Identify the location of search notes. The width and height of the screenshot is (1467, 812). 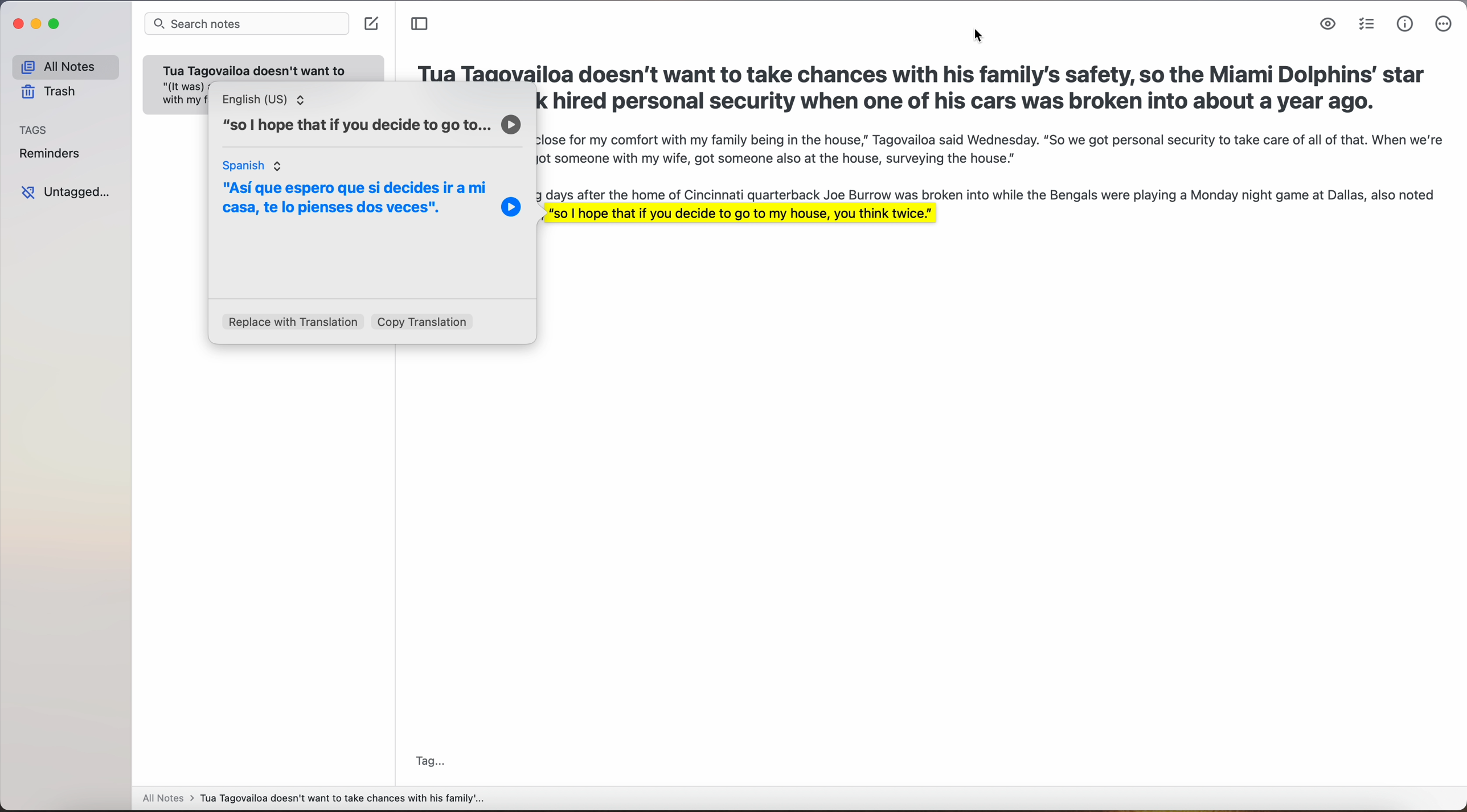
(247, 24).